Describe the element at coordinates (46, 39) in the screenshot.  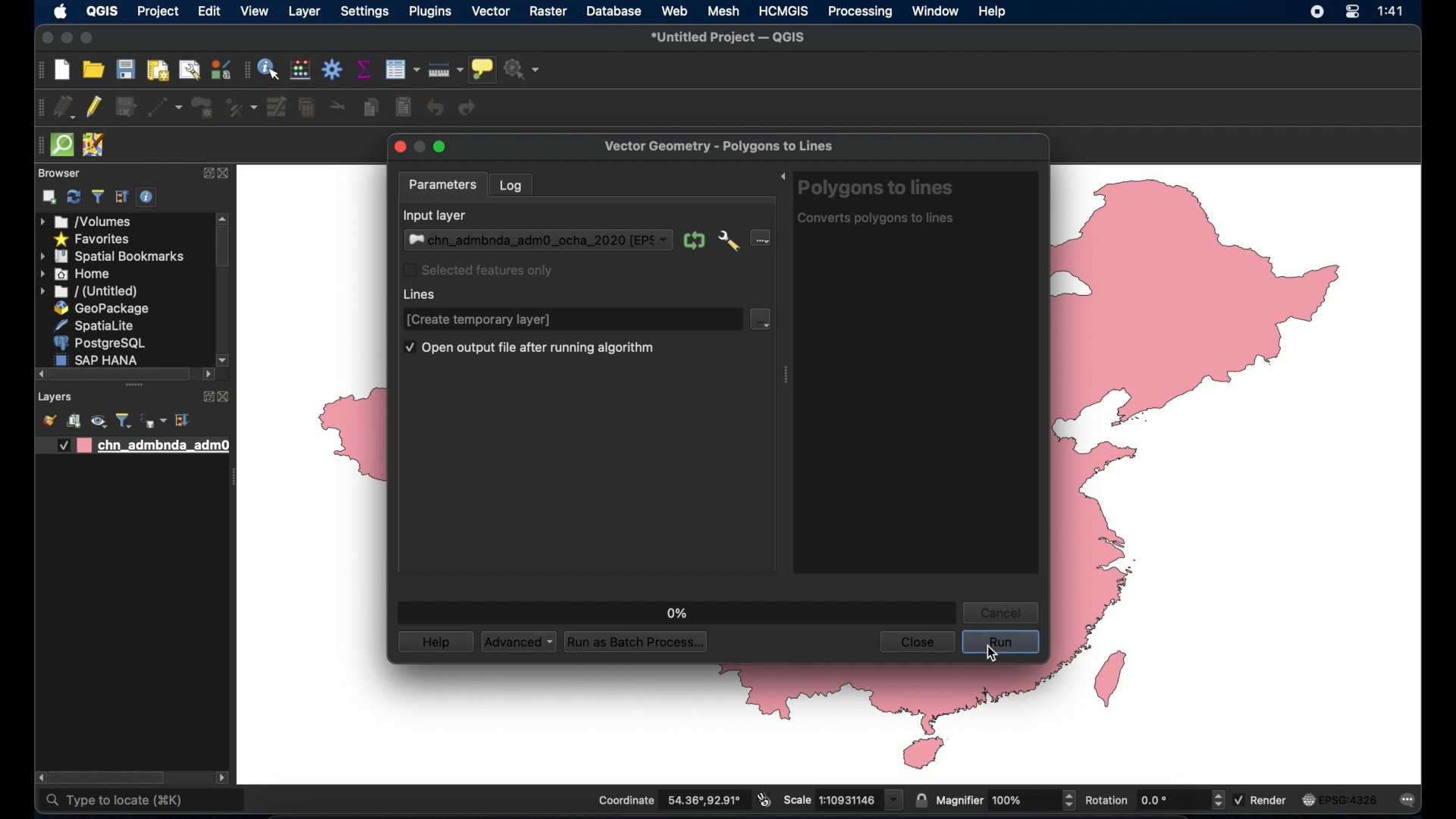
I see `close` at that location.